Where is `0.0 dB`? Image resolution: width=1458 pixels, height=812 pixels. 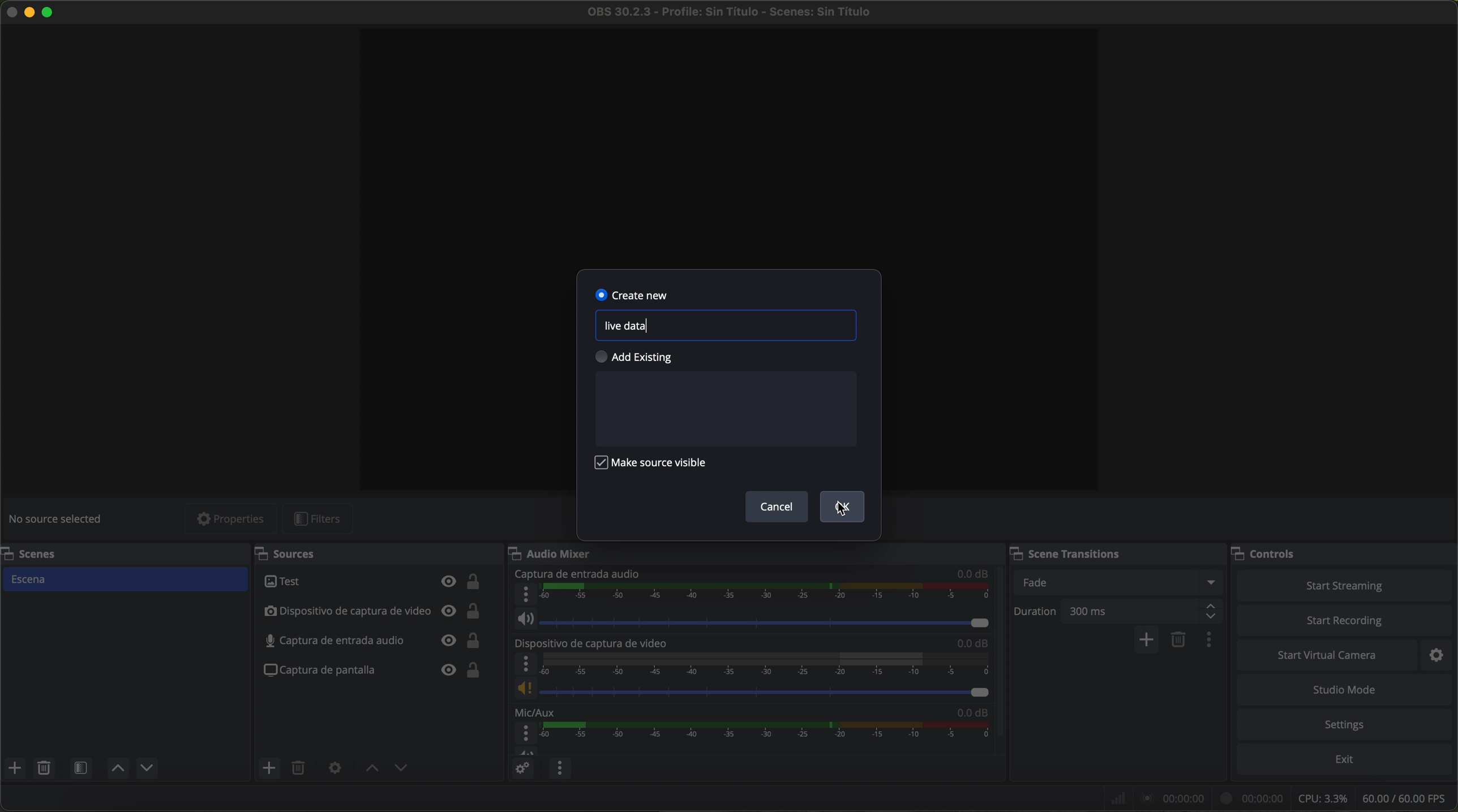
0.0 dB is located at coordinates (967, 714).